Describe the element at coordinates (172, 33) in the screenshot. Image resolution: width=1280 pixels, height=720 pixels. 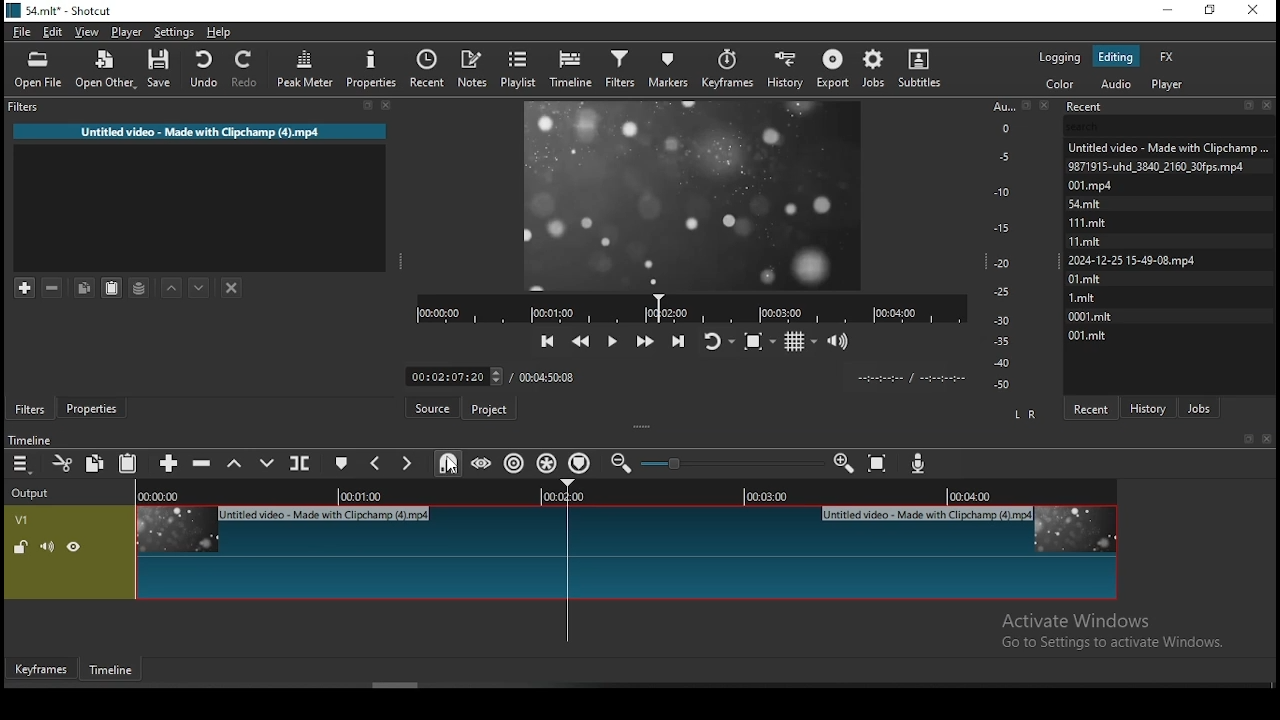
I see `settings` at that location.